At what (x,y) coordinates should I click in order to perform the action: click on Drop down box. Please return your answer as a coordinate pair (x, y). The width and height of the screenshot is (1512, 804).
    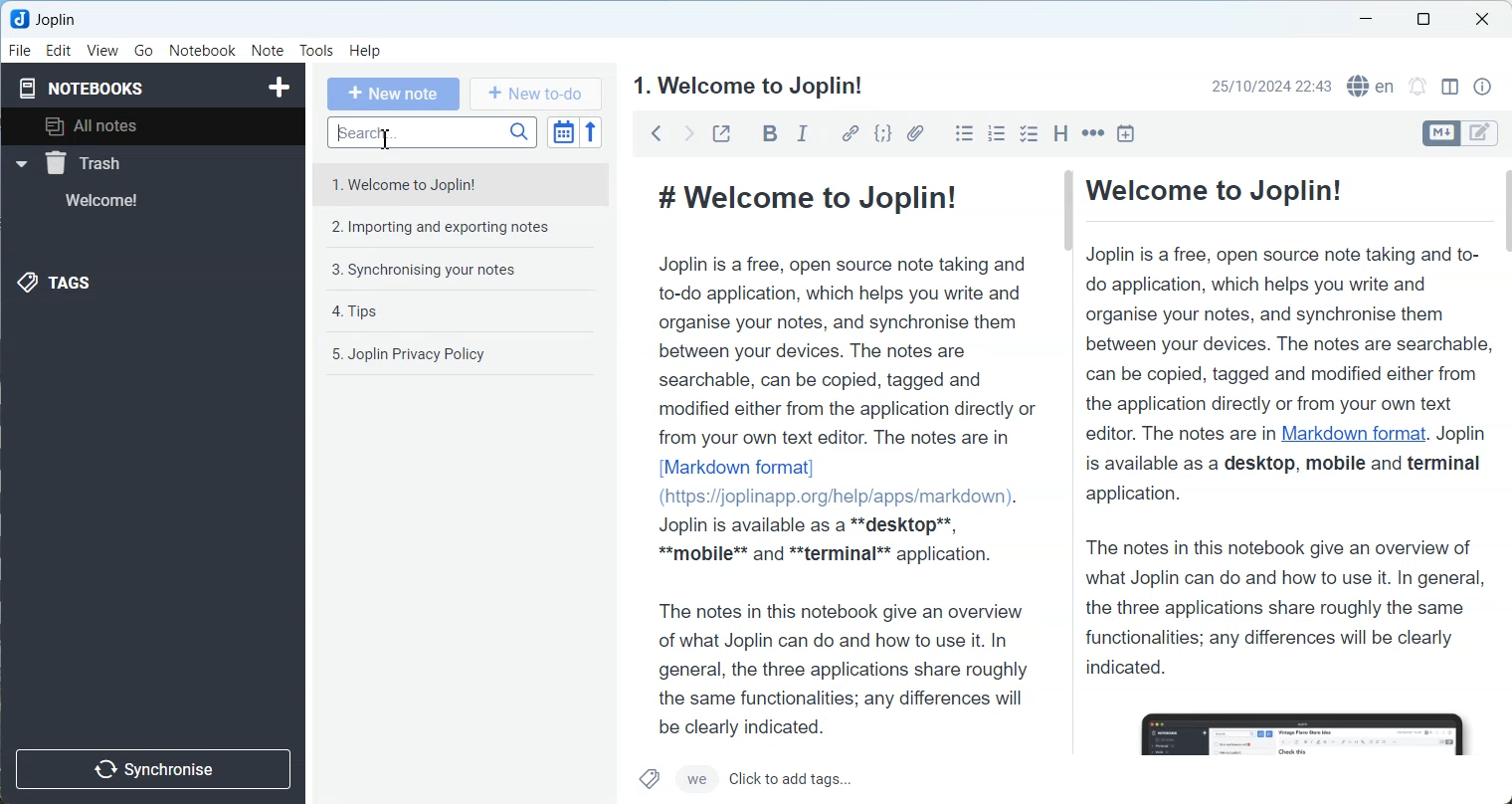
    Looking at the image, I should click on (20, 164).